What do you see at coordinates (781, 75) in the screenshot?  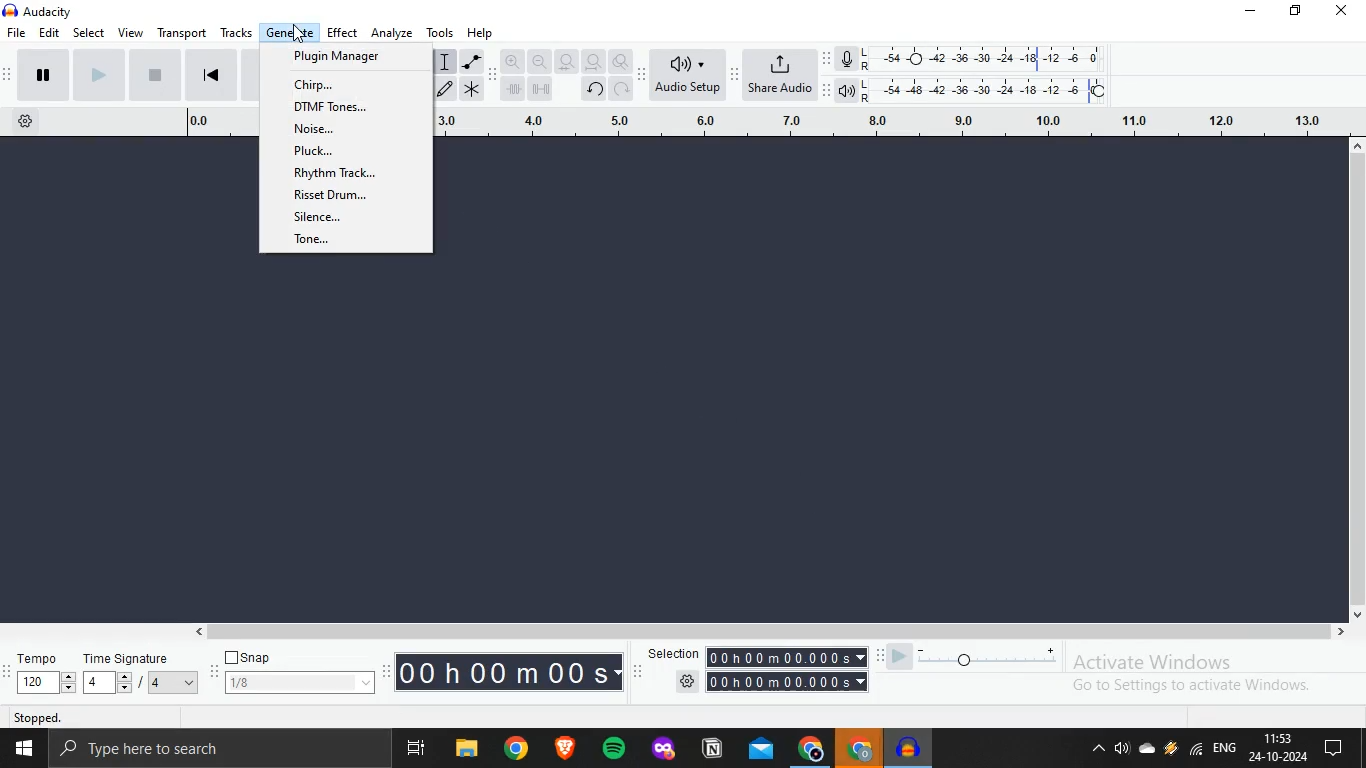 I see `Share Audio` at bounding box center [781, 75].